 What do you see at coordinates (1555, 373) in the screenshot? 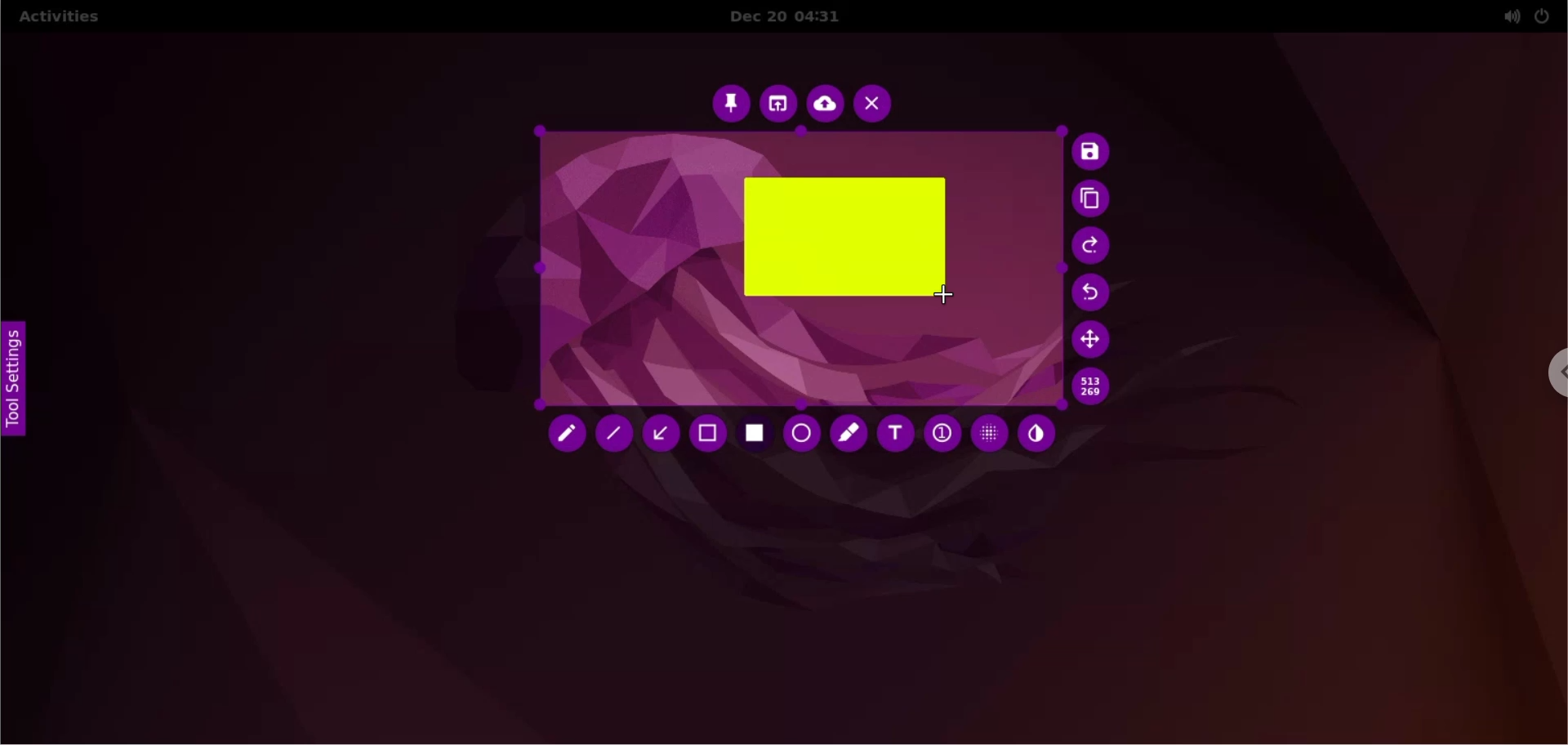
I see `chrome options` at bounding box center [1555, 373].